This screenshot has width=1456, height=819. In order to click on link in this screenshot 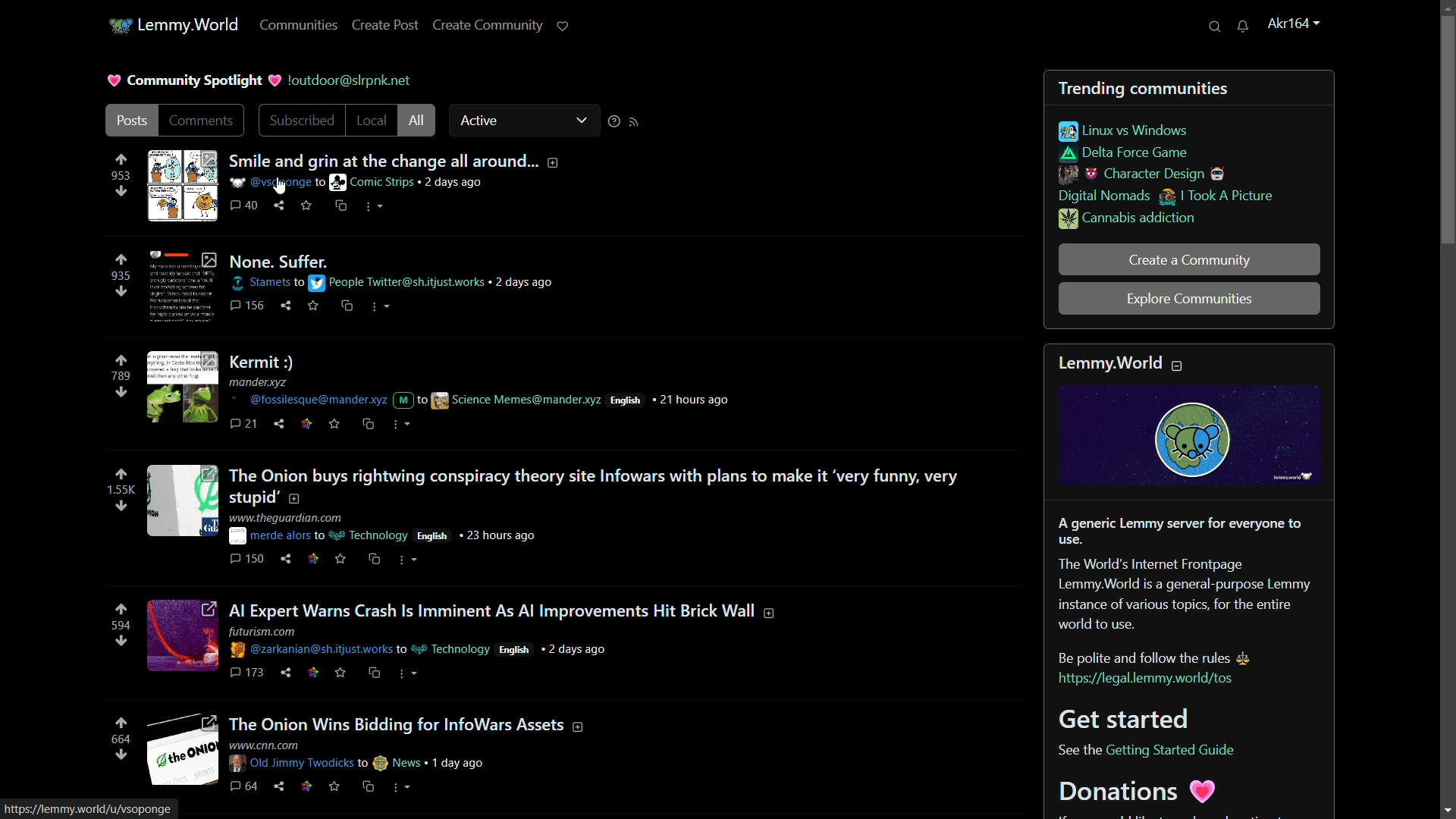, I will do `click(1150, 679)`.